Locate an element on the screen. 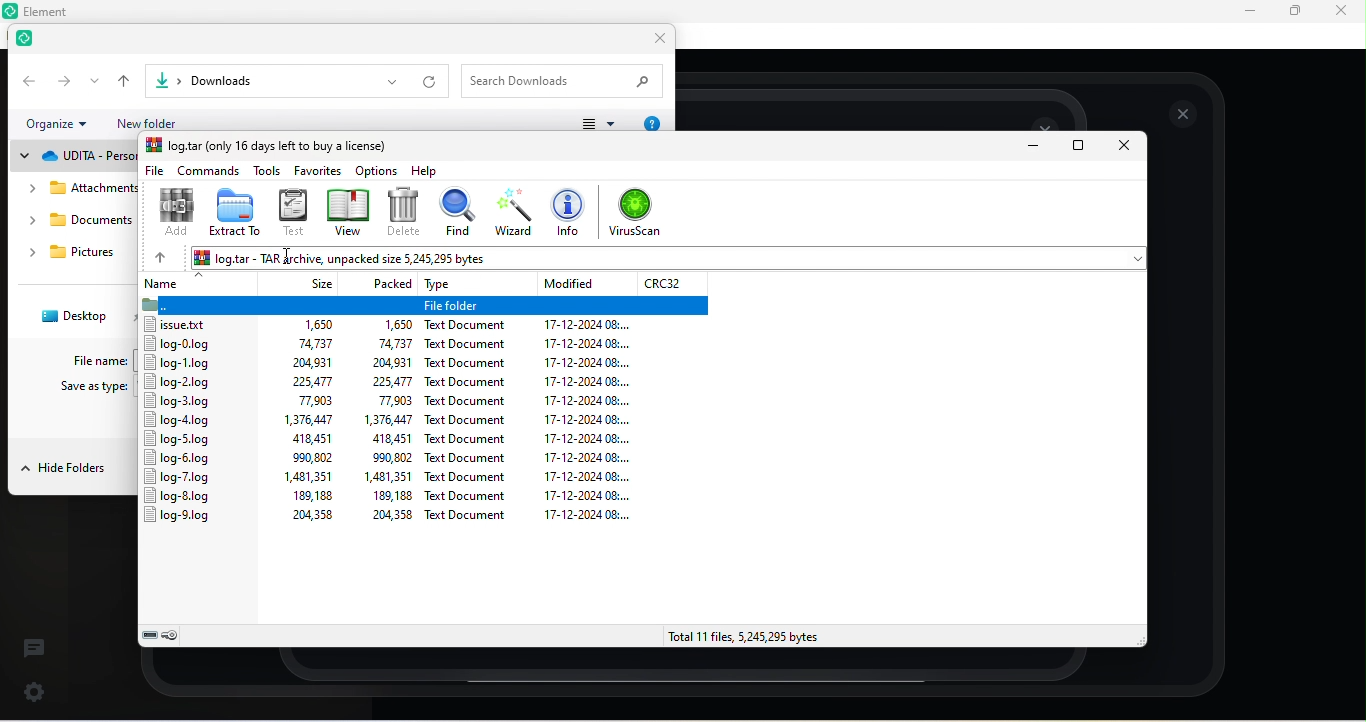 The width and height of the screenshot is (1366, 722). element is located at coordinates (30, 41).